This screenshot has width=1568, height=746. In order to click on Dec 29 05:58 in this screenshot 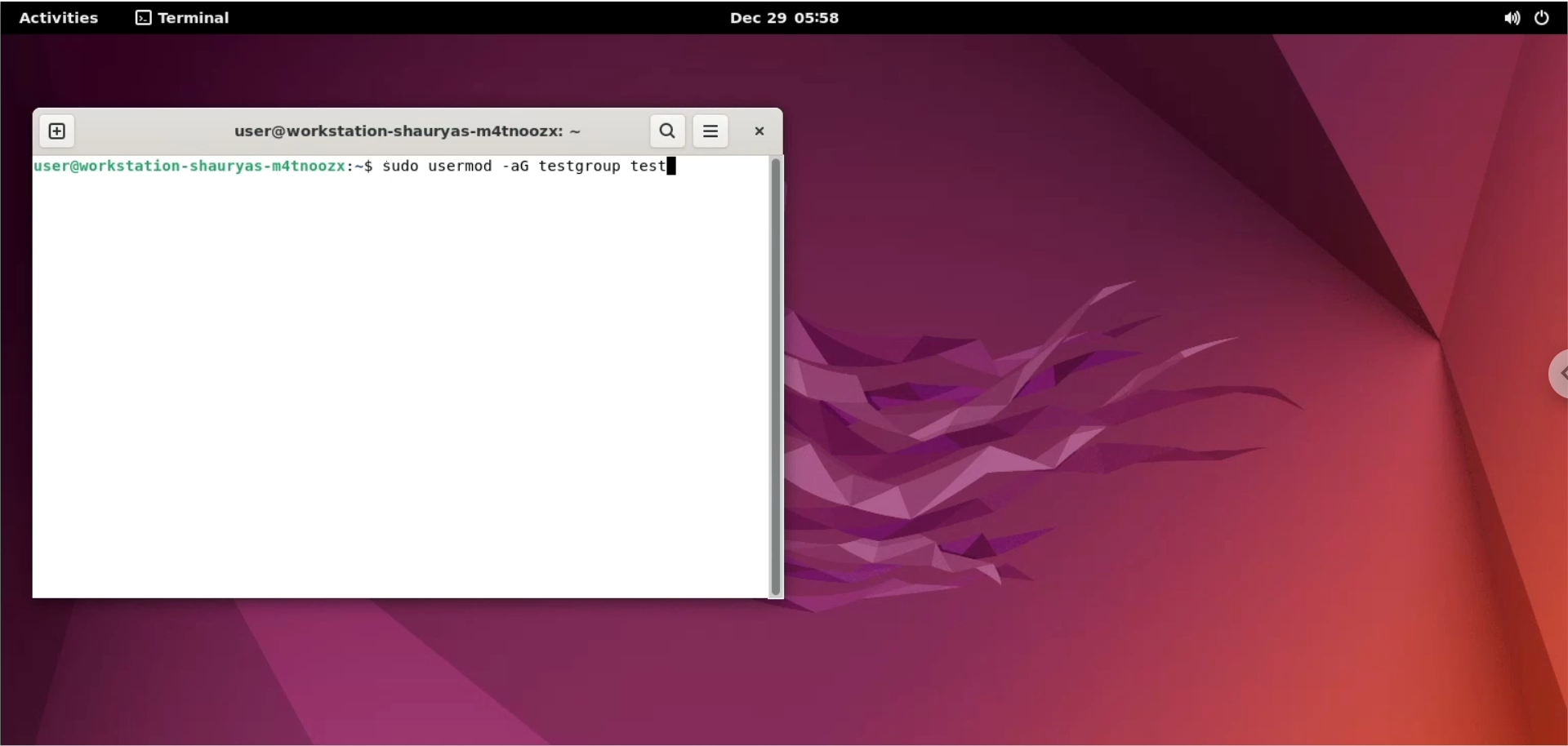, I will do `click(791, 20)`.